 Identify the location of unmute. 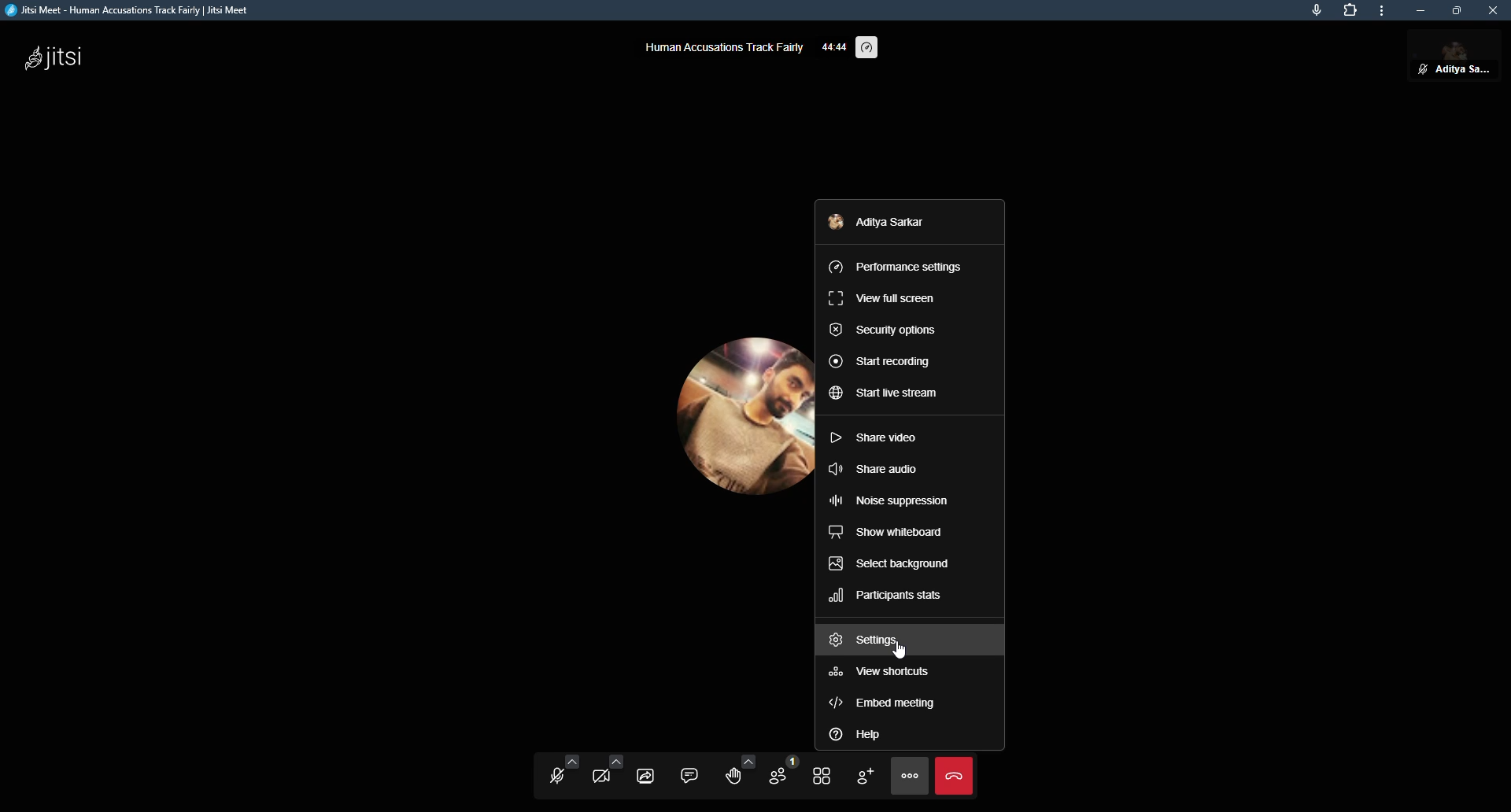
(1418, 68).